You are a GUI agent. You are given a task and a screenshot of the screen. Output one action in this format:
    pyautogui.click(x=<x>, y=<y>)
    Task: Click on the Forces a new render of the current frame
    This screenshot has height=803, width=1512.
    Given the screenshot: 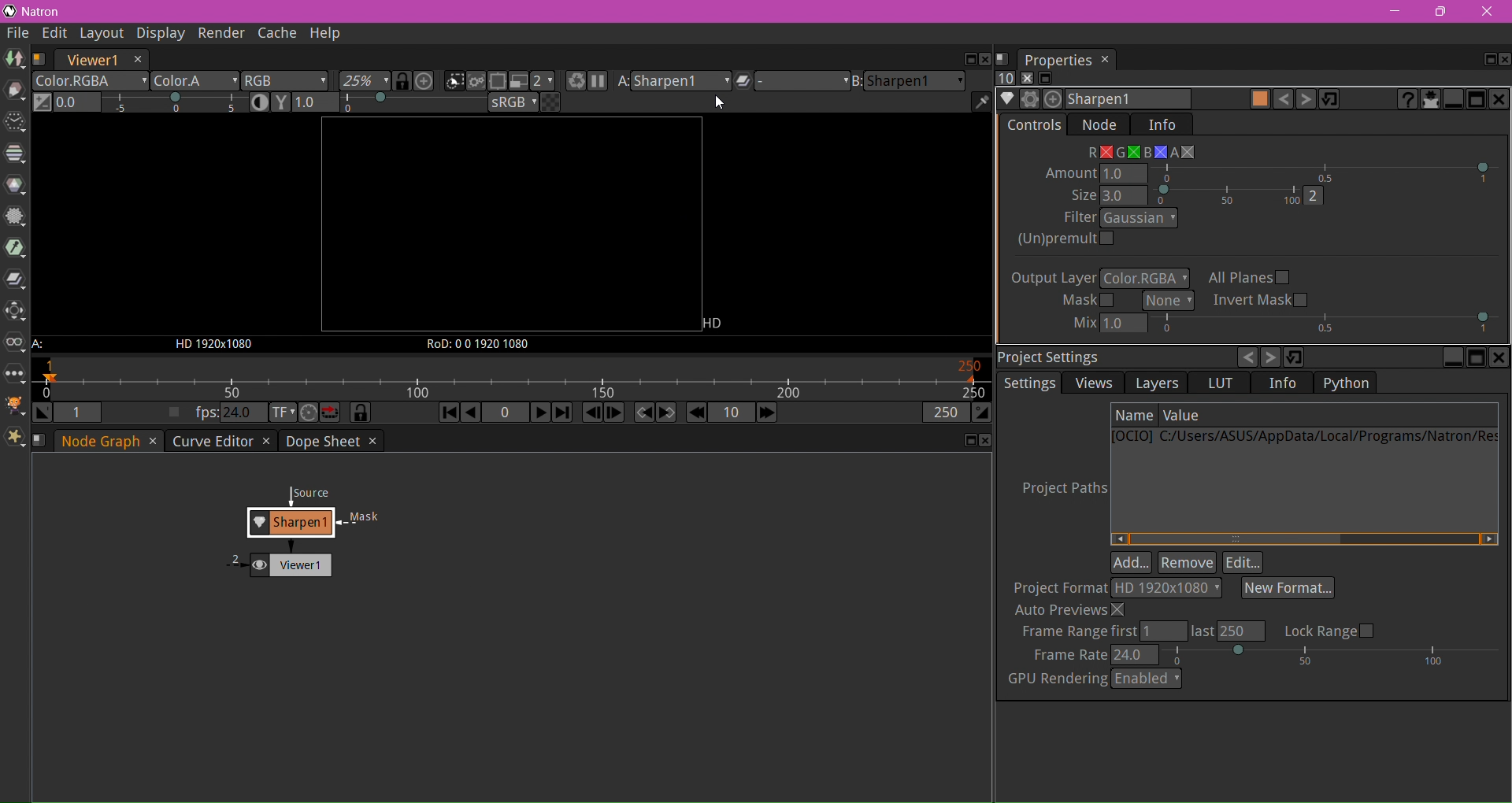 What is the action you would take?
    pyautogui.click(x=573, y=83)
    